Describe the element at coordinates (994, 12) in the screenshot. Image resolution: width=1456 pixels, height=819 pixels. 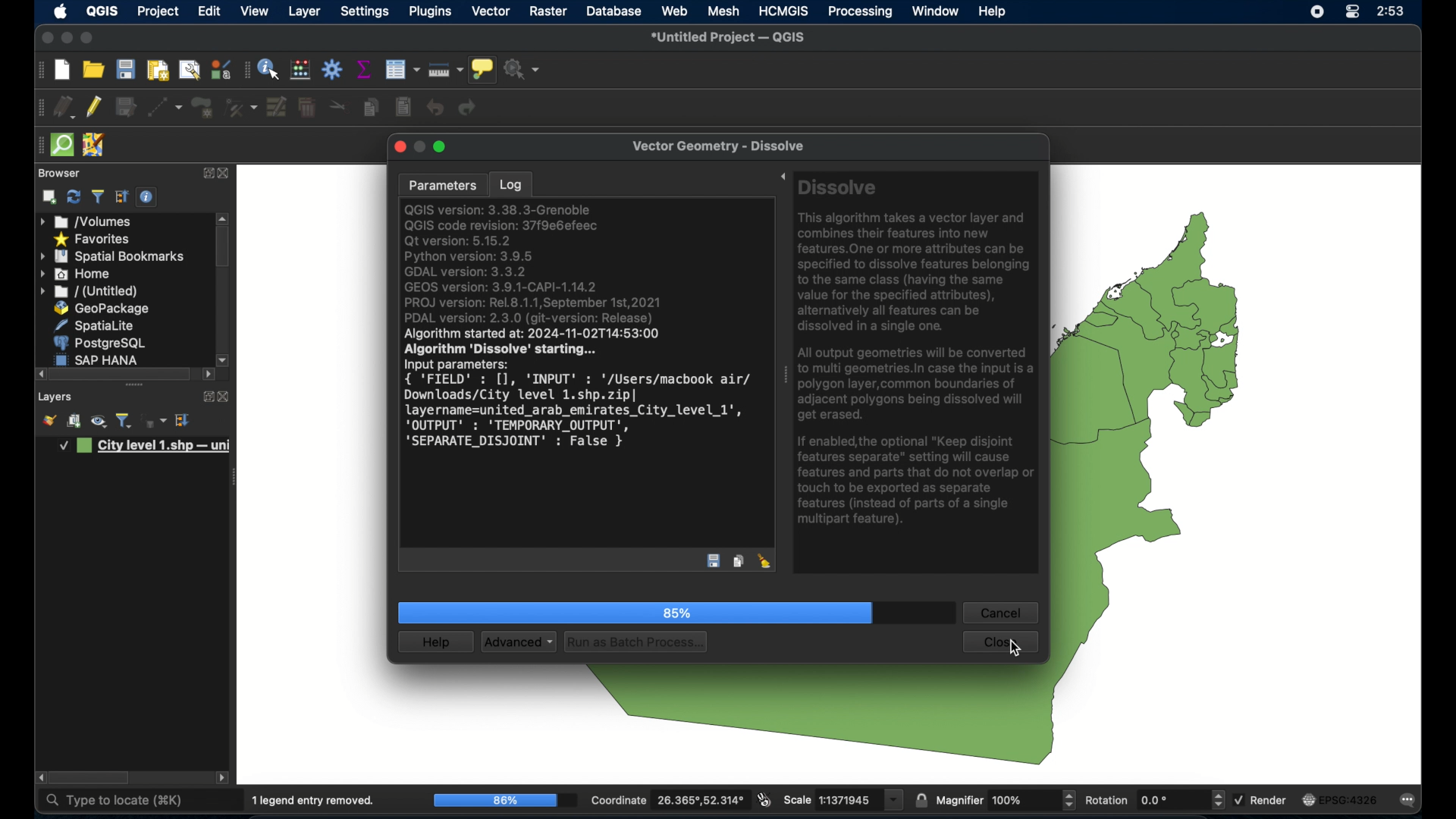
I see `help` at that location.